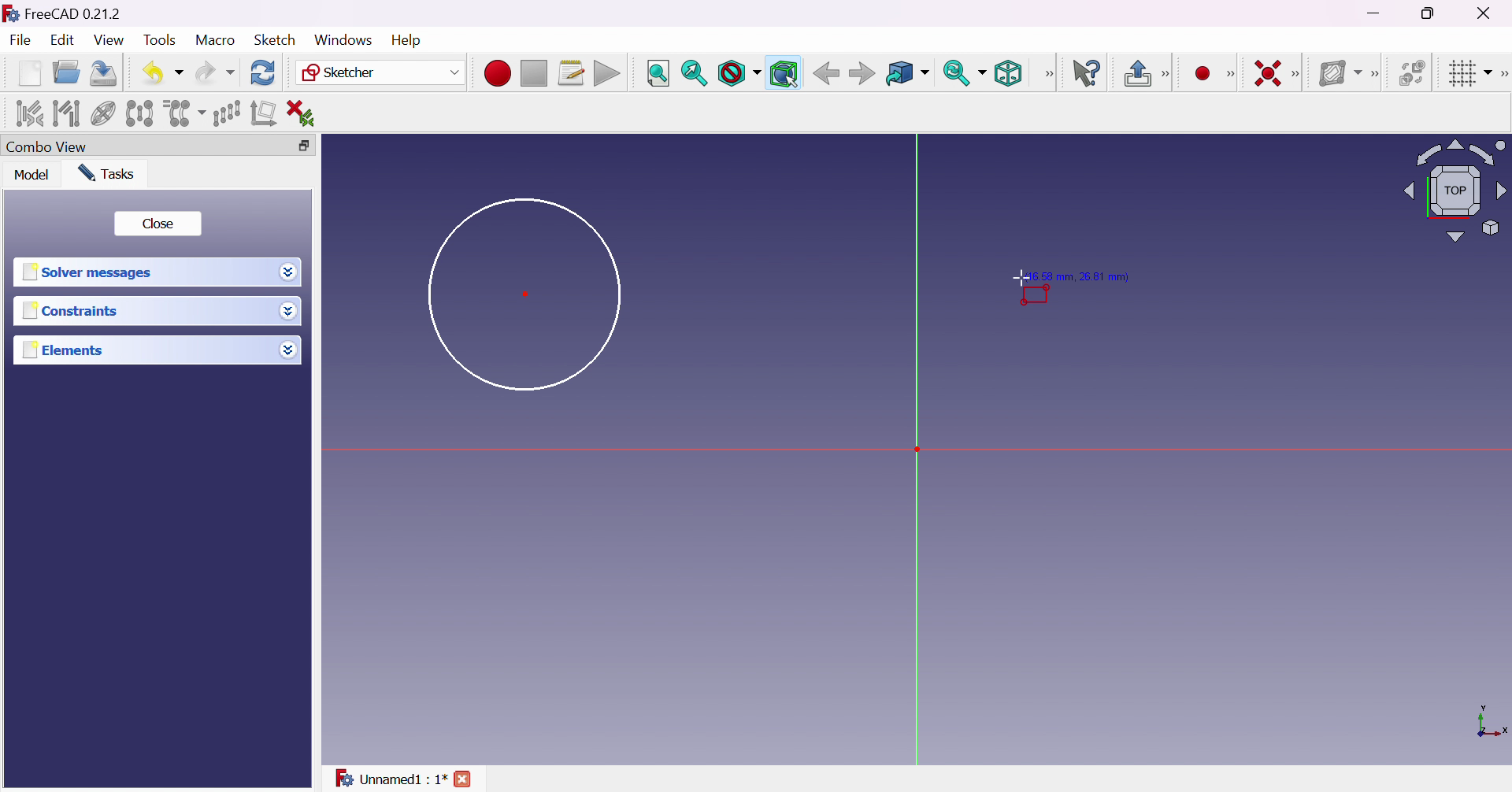 Image resolution: width=1512 pixels, height=792 pixels. Describe the element at coordinates (46, 148) in the screenshot. I see `Combo view` at that location.